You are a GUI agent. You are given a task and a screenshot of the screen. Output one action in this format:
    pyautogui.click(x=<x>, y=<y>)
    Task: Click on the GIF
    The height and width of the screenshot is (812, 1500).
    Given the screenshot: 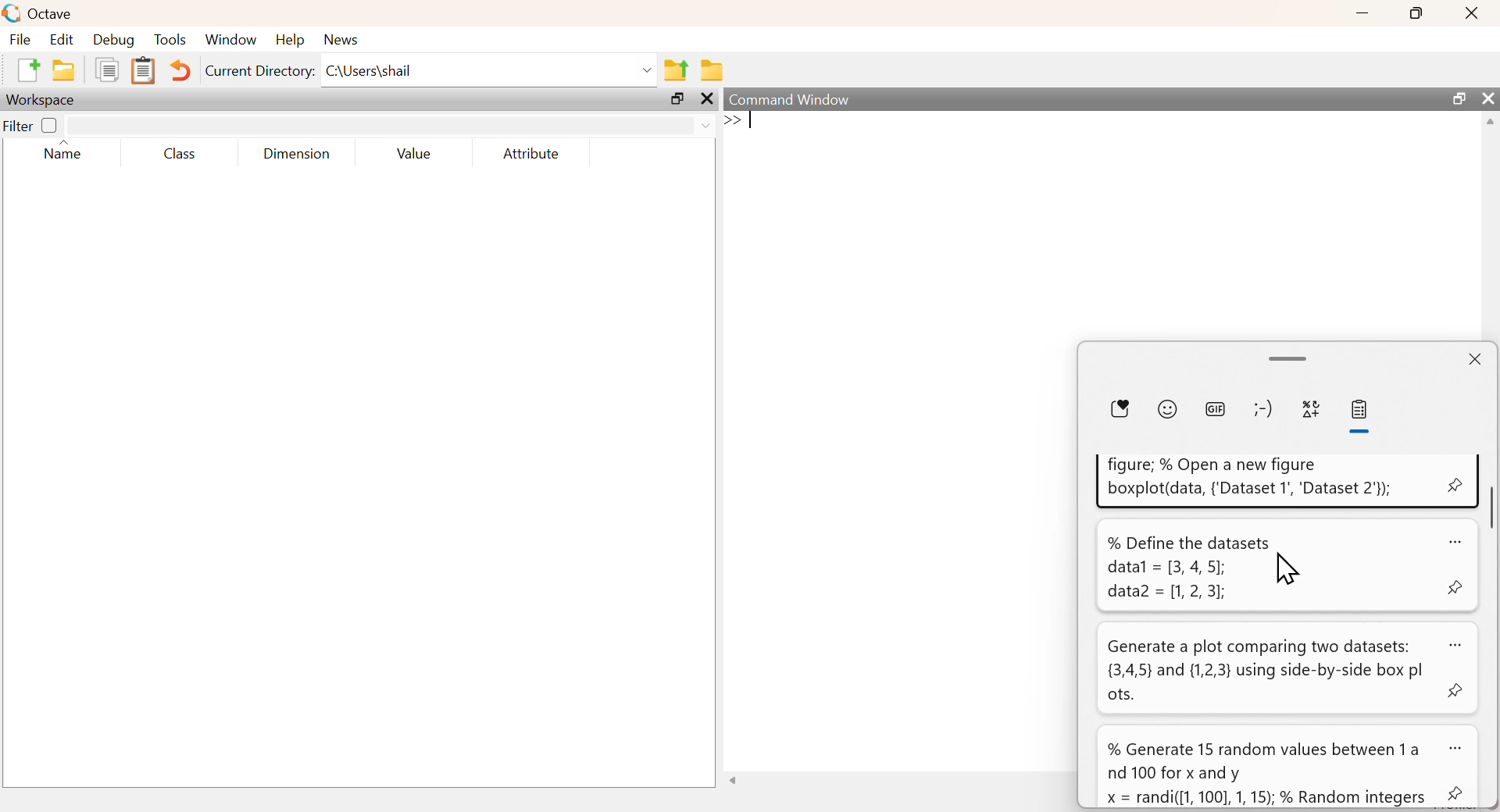 What is the action you would take?
    pyautogui.click(x=1213, y=408)
    